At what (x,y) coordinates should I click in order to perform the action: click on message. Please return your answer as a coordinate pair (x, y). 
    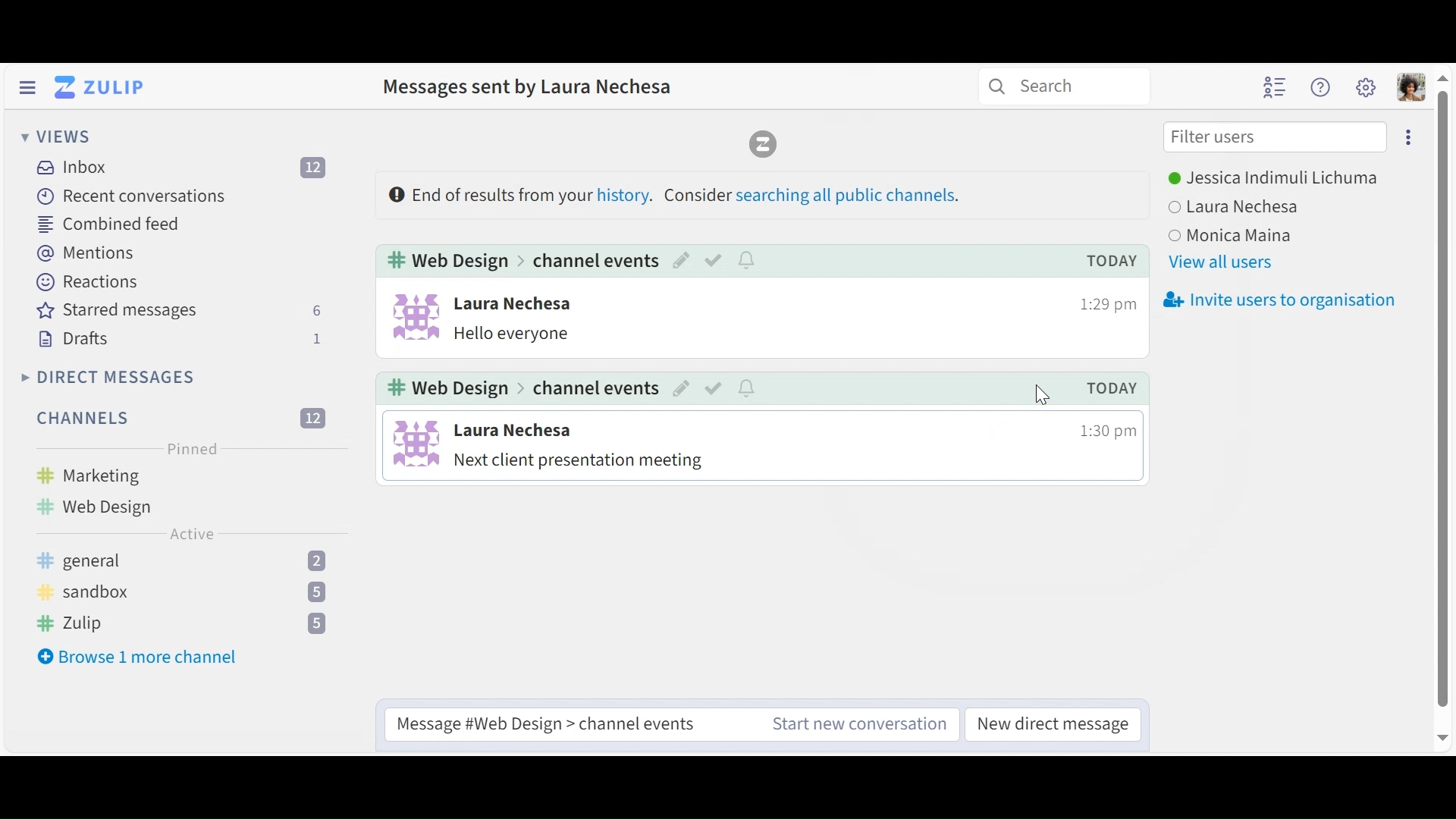
    Looking at the image, I should click on (581, 466).